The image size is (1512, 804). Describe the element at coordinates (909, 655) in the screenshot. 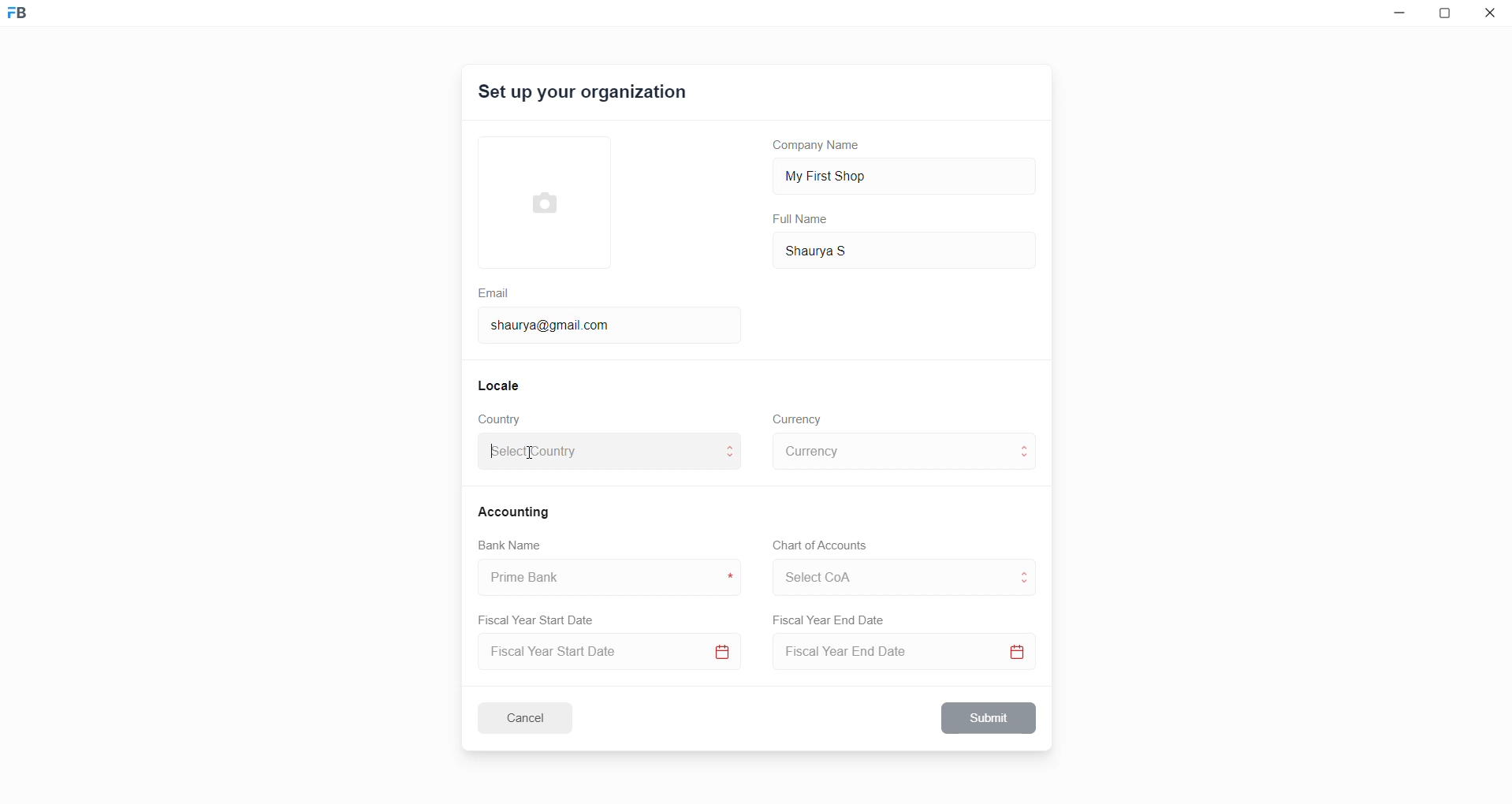

I see `Select Fiscal Year End Date` at that location.